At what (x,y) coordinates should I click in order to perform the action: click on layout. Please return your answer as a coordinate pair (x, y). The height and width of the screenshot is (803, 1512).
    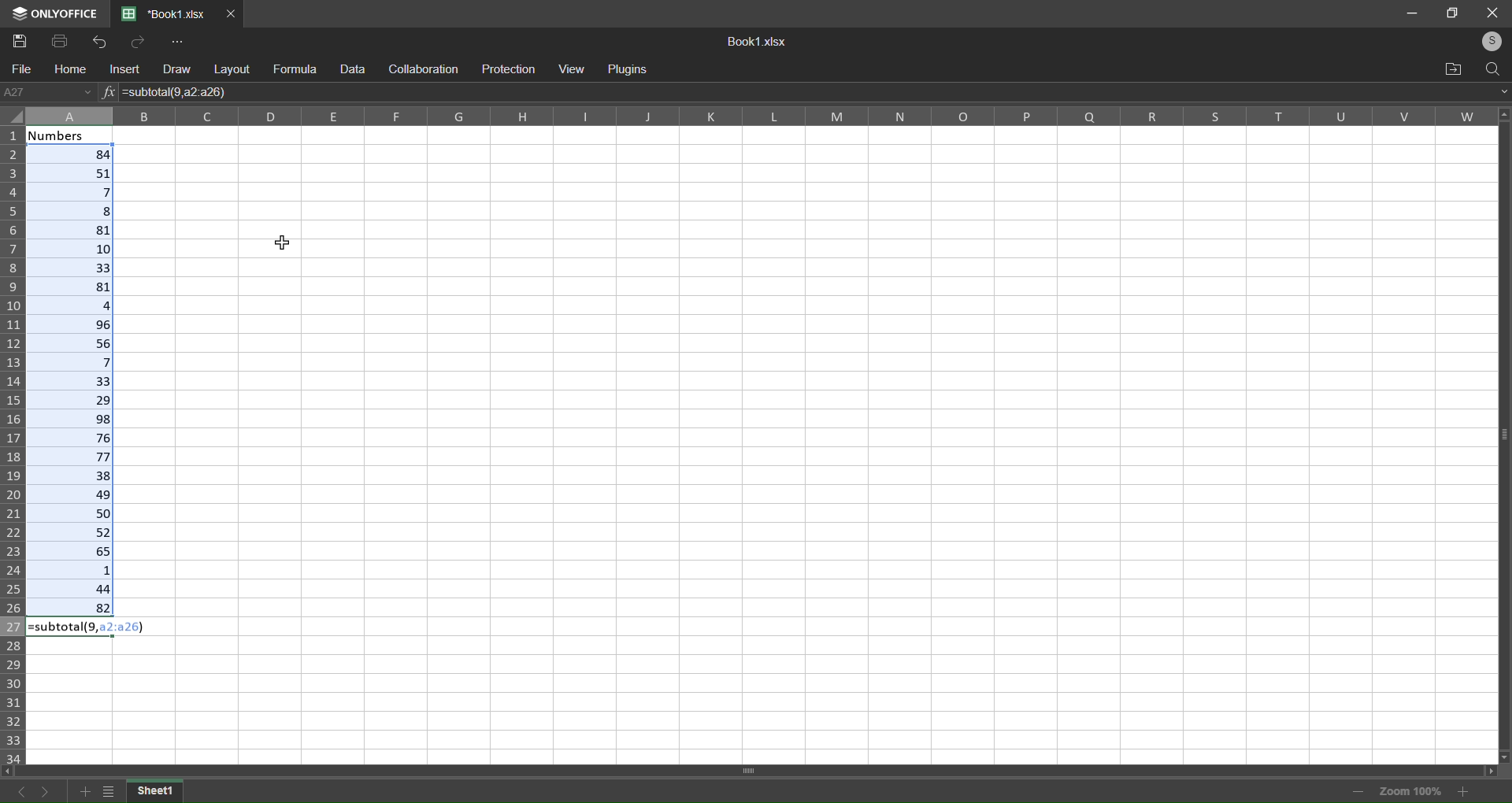
    Looking at the image, I should click on (232, 69).